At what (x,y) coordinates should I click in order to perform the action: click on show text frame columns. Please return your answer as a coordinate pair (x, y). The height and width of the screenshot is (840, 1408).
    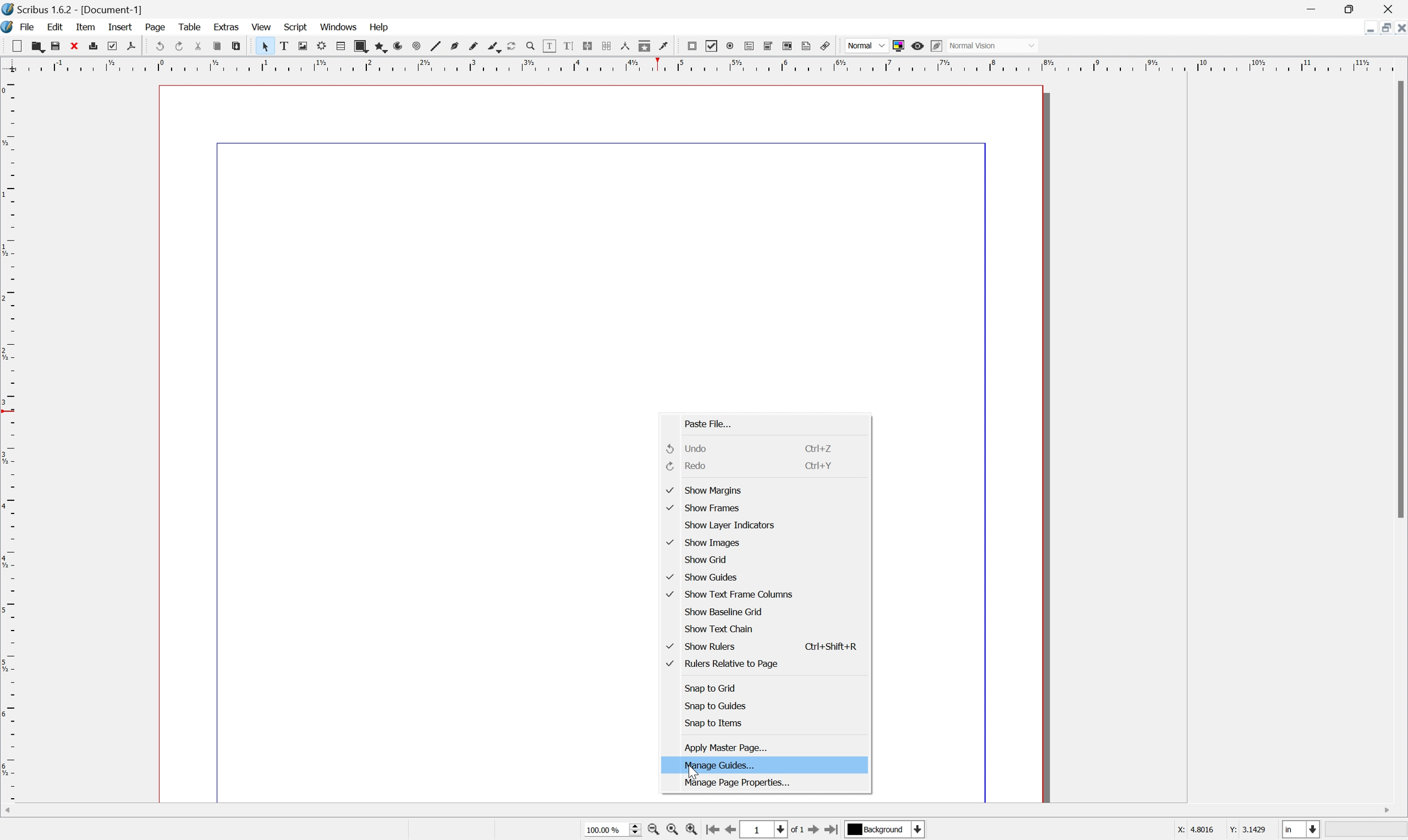
    Looking at the image, I should click on (732, 593).